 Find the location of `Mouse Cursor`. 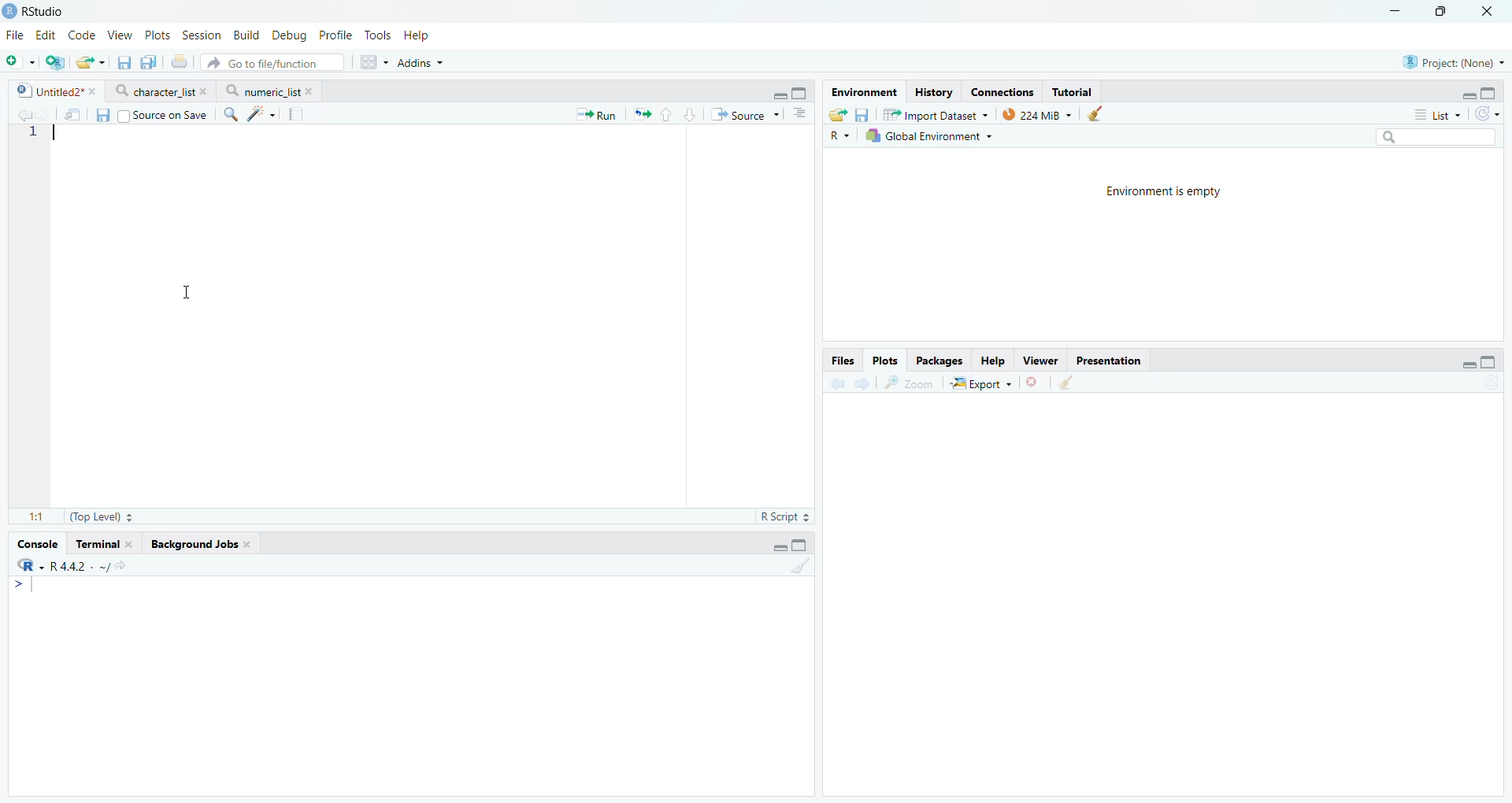

Mouse Cursor is located at coordinates (188, 290).